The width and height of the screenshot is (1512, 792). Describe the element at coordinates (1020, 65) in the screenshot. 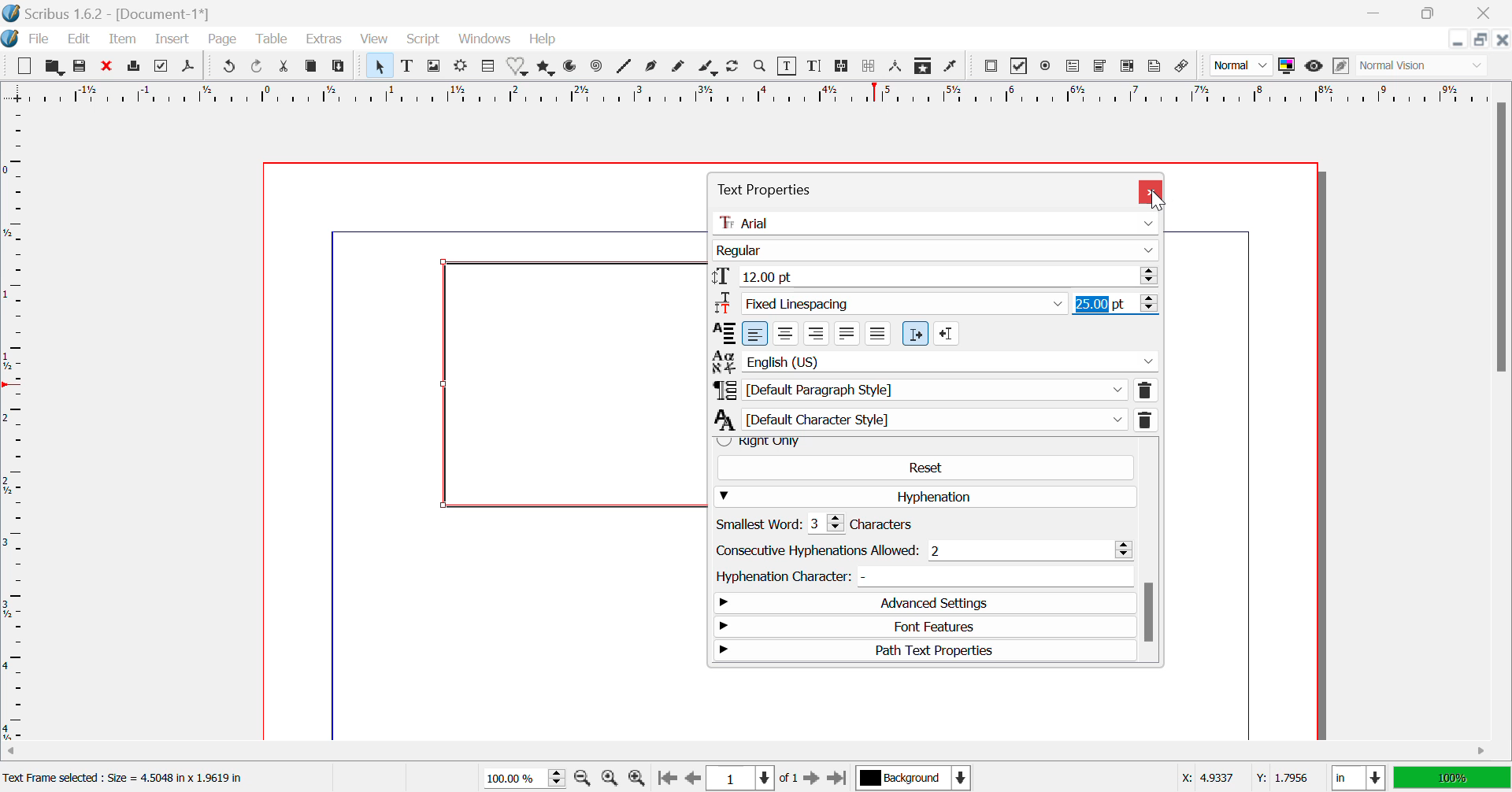

I see `PDF checkbox` at that location.